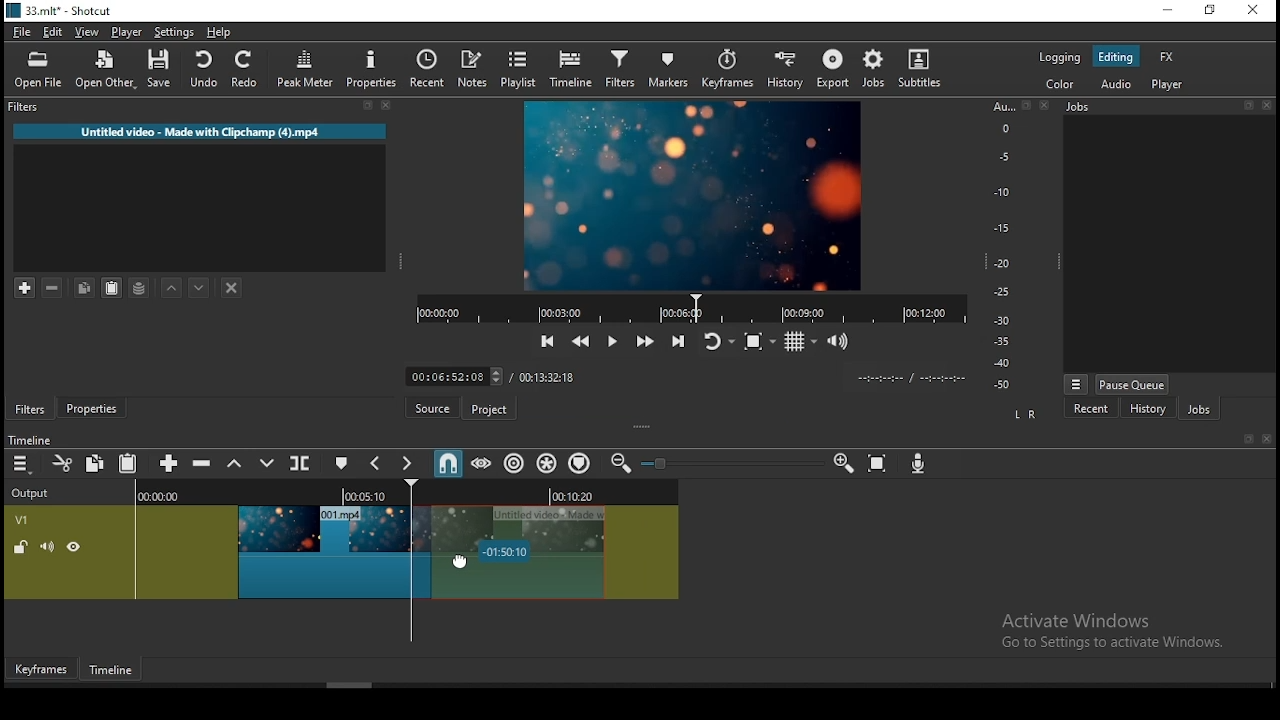 This screenshot has height=720, width=1280. What do you see at coordinates (267, 466) in the screenshot?
I see `overwrite` at bounding box center [267, 466].